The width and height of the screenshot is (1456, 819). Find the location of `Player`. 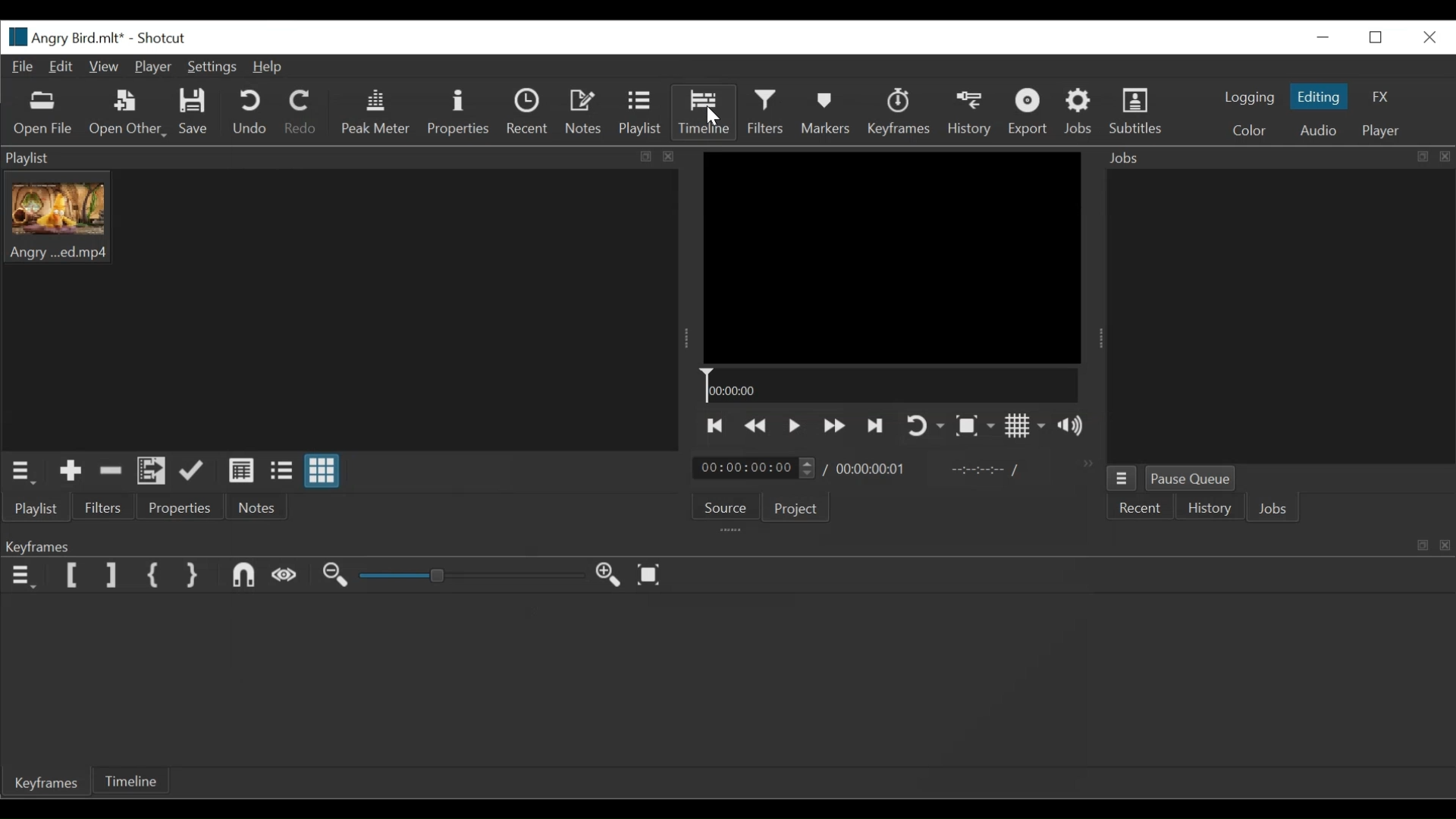

Player is located at coordinates (1382, 132).